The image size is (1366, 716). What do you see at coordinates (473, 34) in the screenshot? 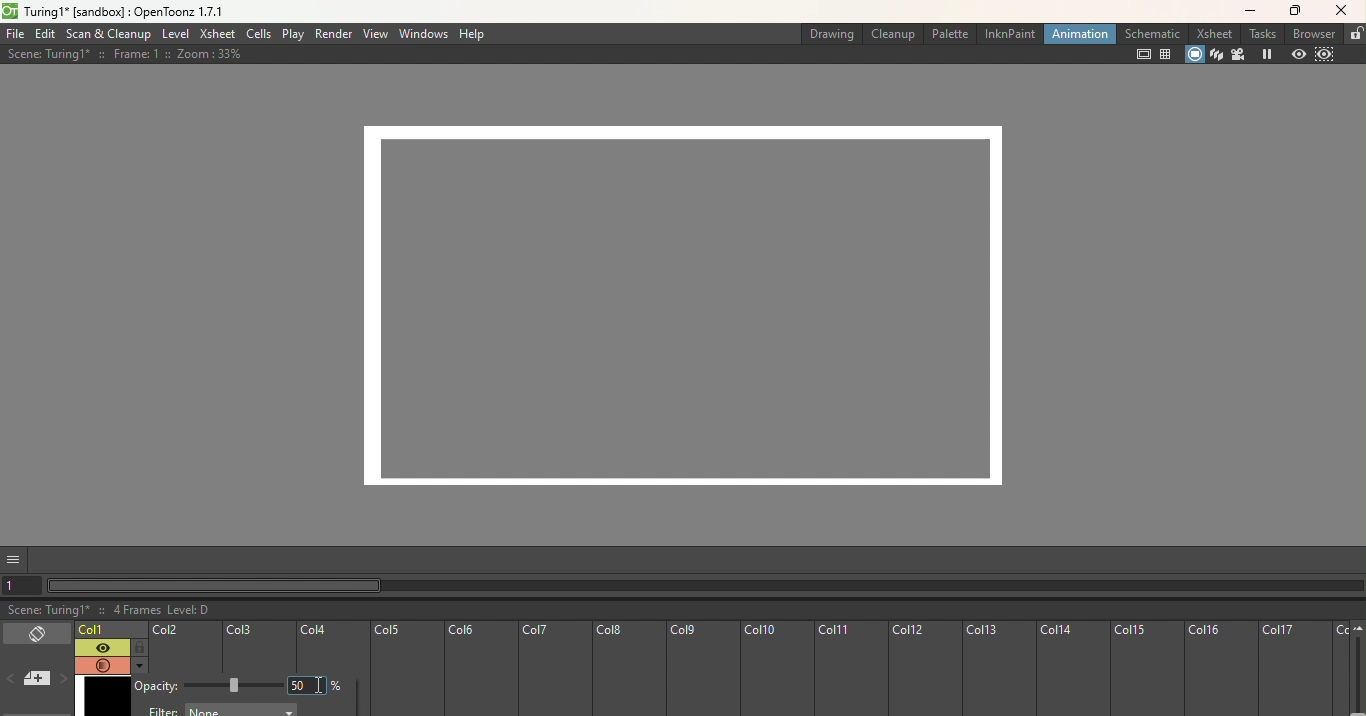
I see `Help` at bounding box center [473, 34].